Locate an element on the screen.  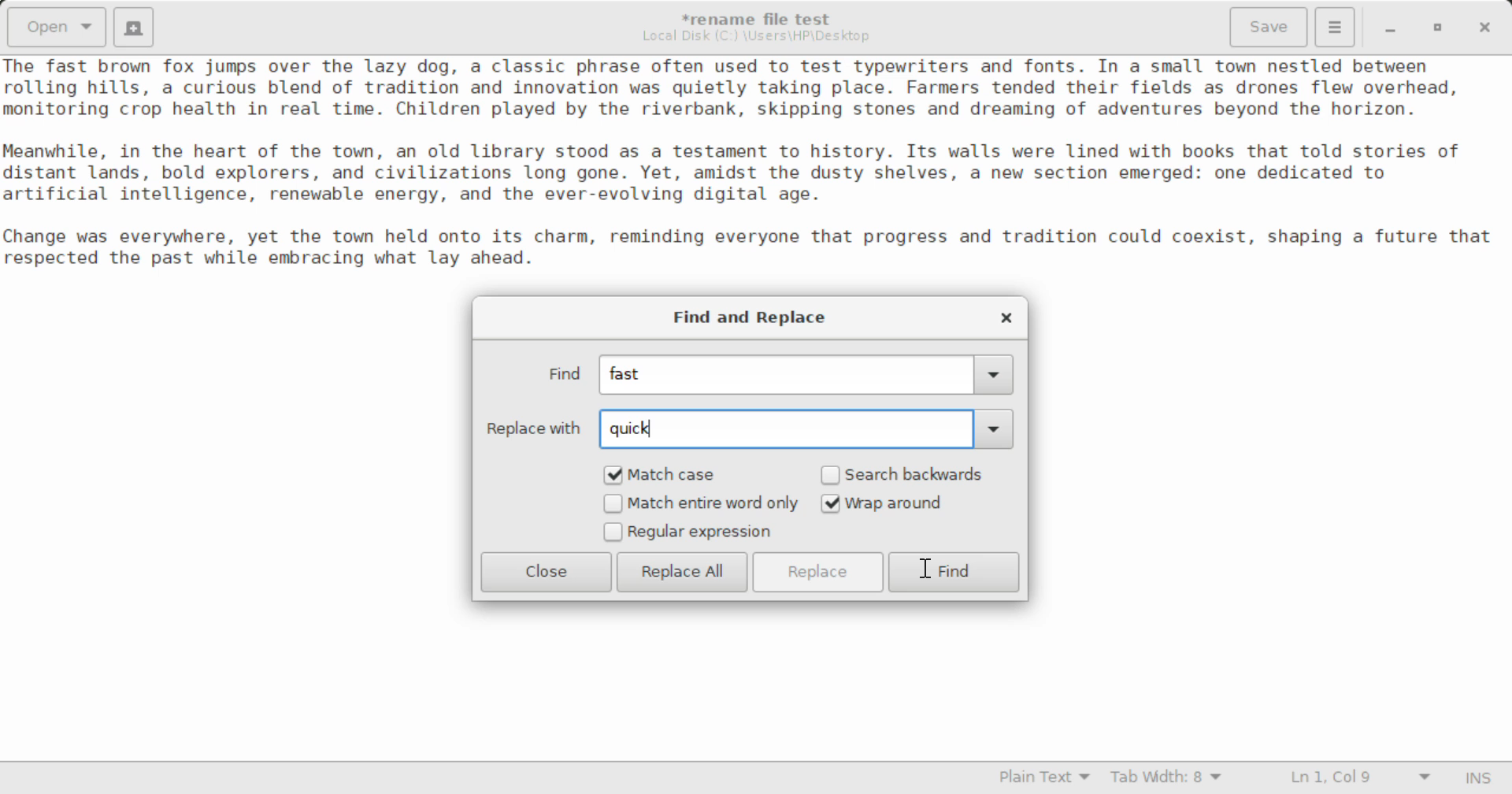
Open Document is located at coordinates (54, 27).